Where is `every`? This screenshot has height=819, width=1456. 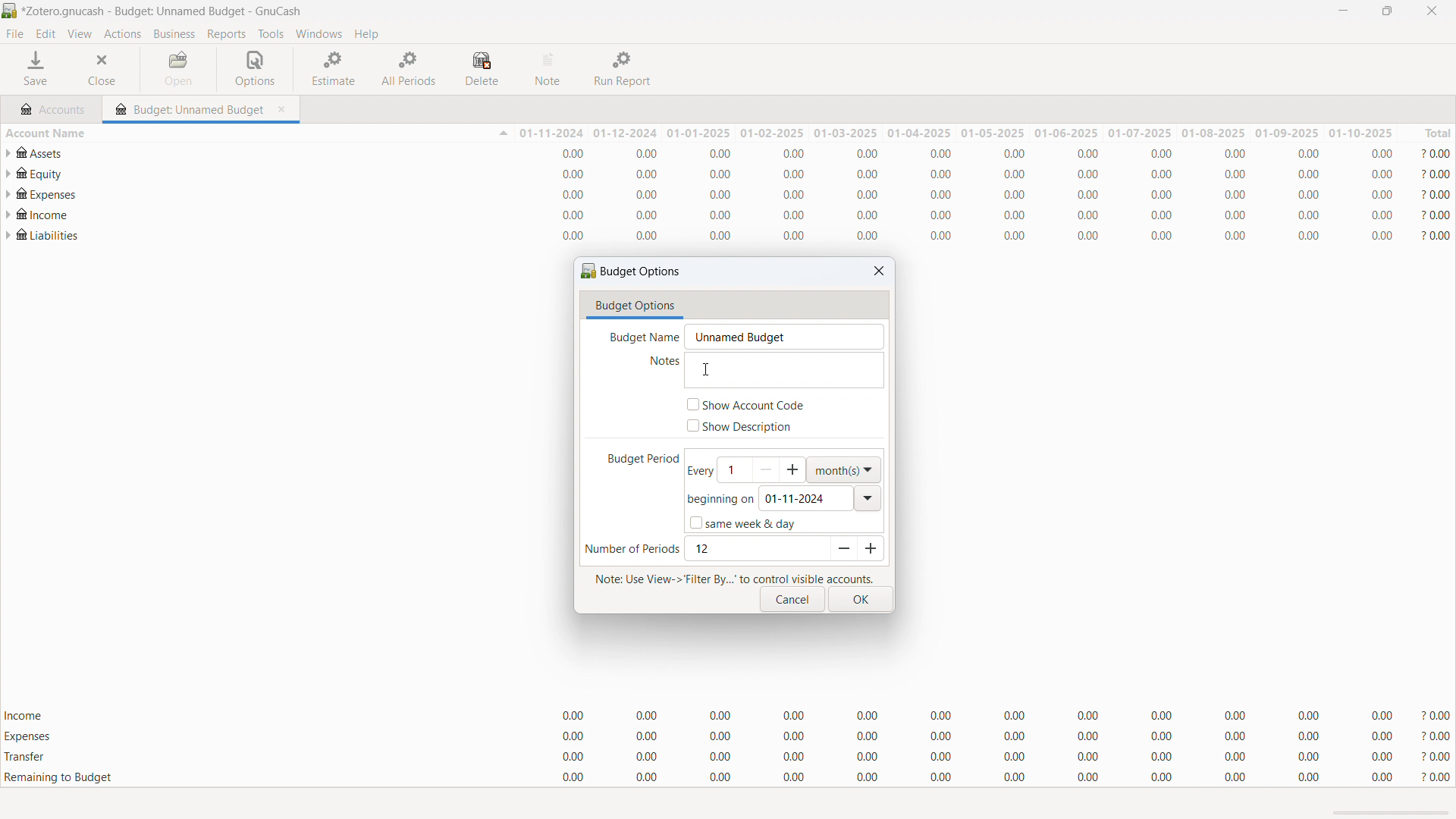
every is located at coordinates (698, 471).